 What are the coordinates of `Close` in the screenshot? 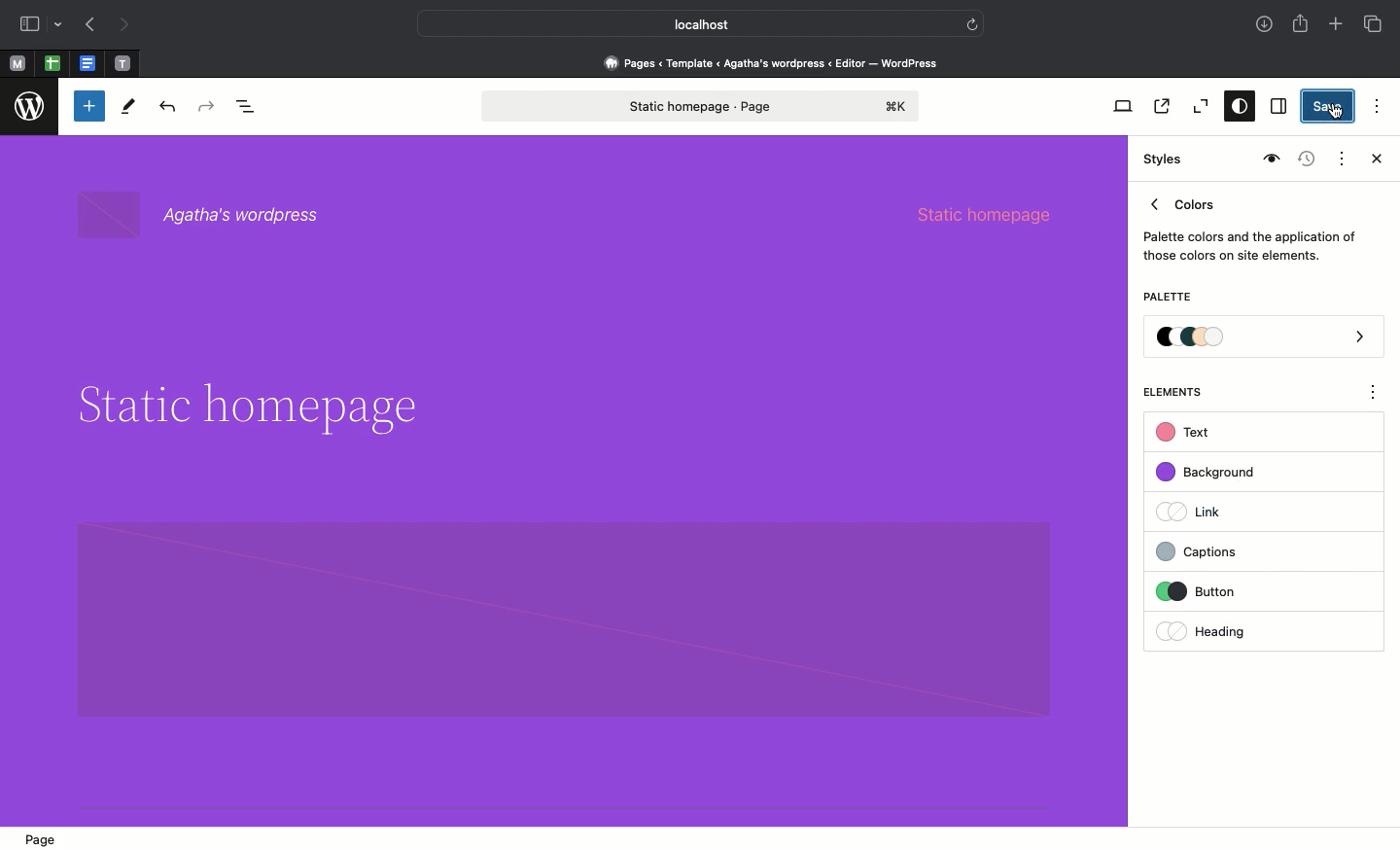 It's located at (1373, 160).